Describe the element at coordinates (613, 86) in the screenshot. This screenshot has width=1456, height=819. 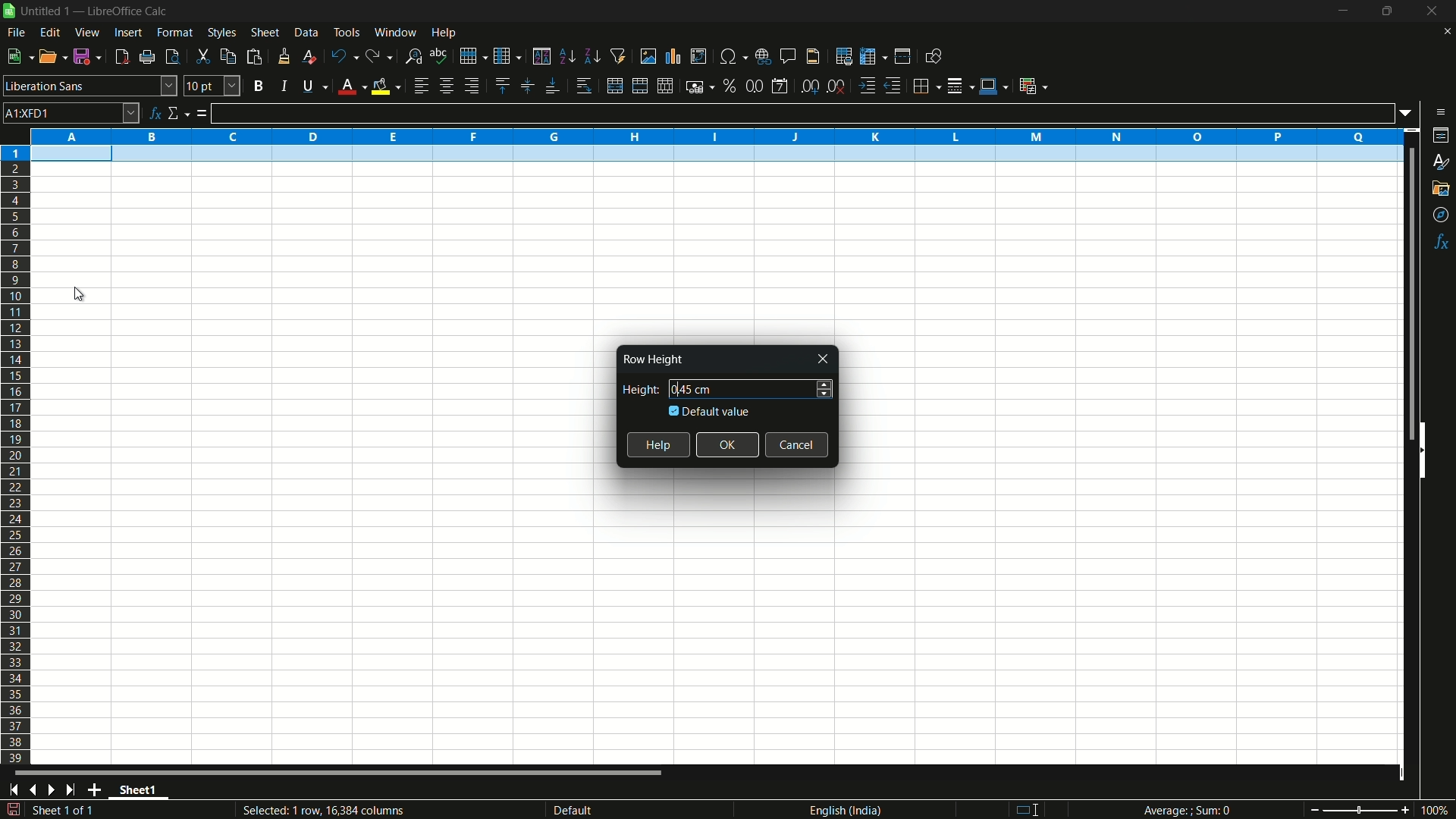
I see `merge and center or unmerge depending on the current toggle state` at that location.